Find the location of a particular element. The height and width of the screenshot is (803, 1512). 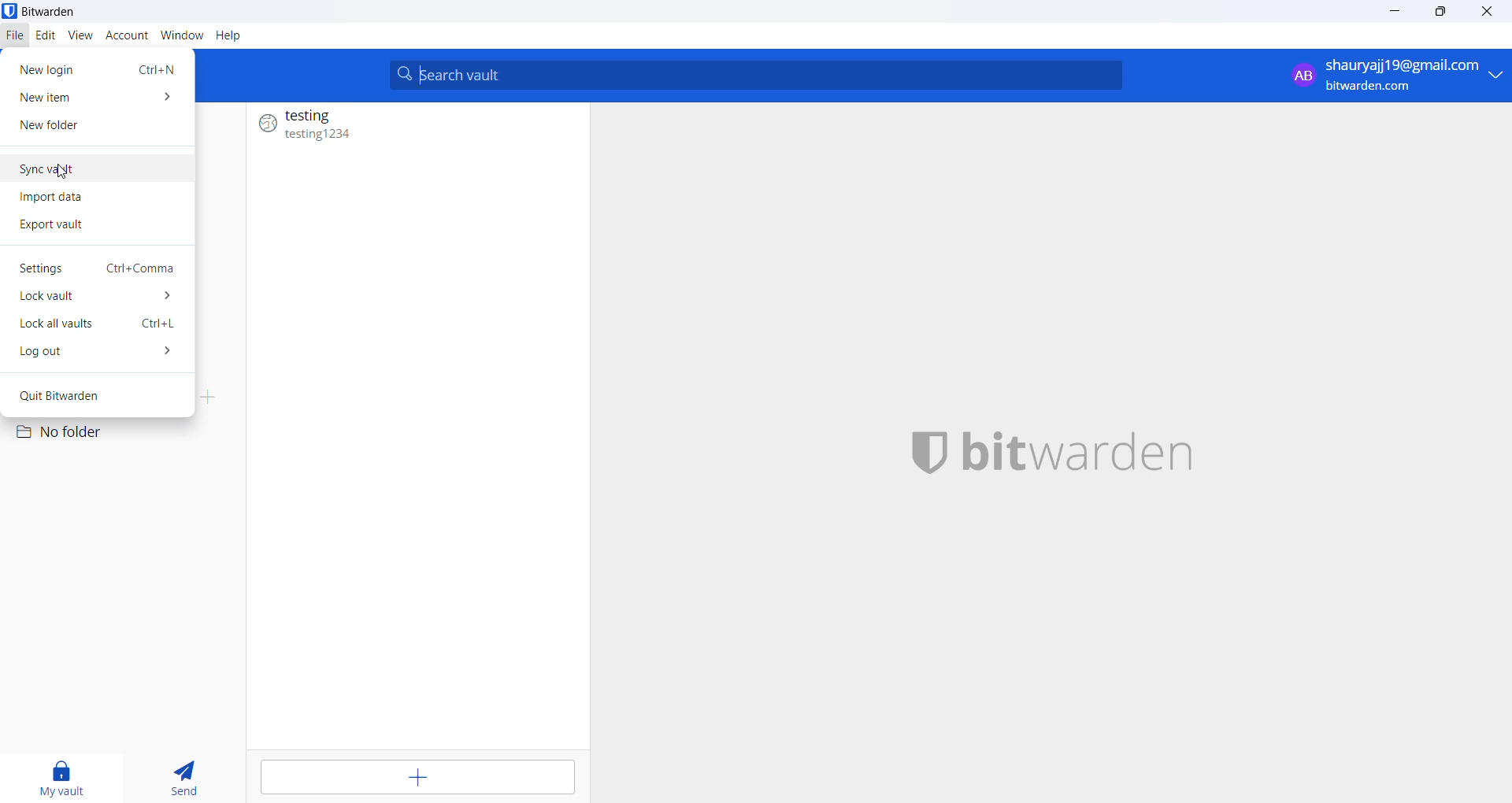

Help is located at coordinates (231, 37).